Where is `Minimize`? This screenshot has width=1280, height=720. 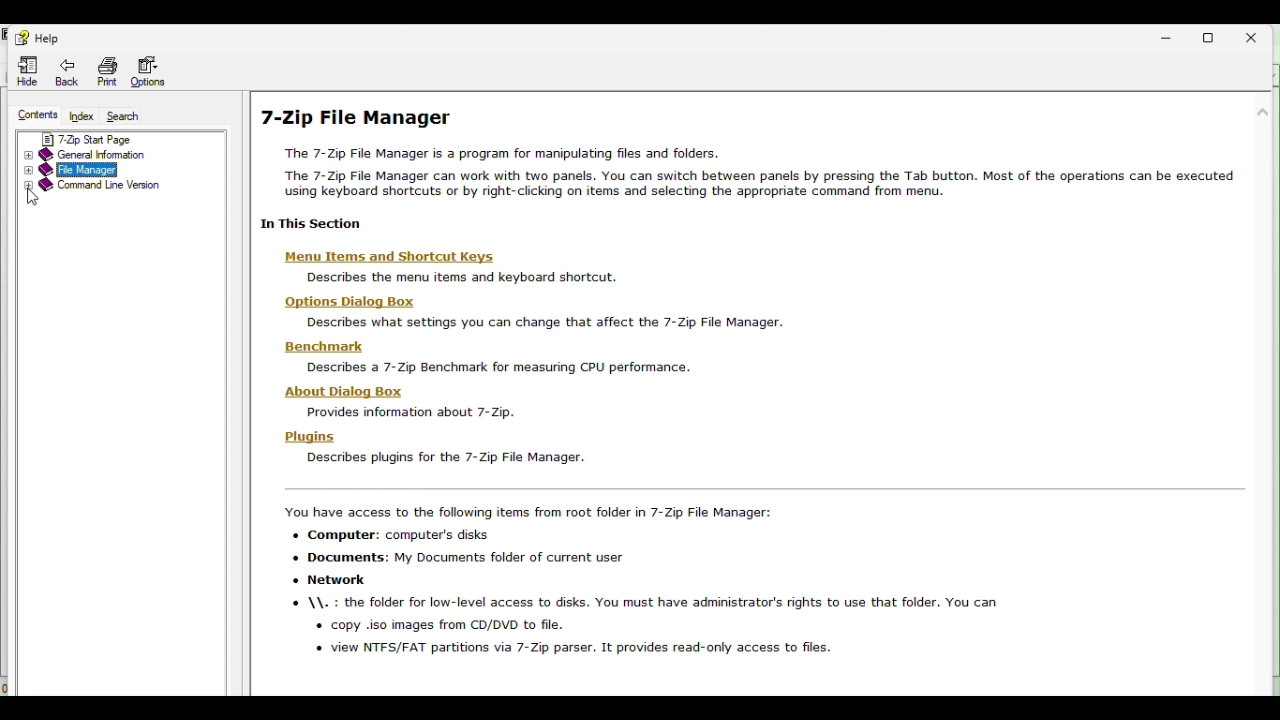 Minimize is located at coordinates (1174, 33).